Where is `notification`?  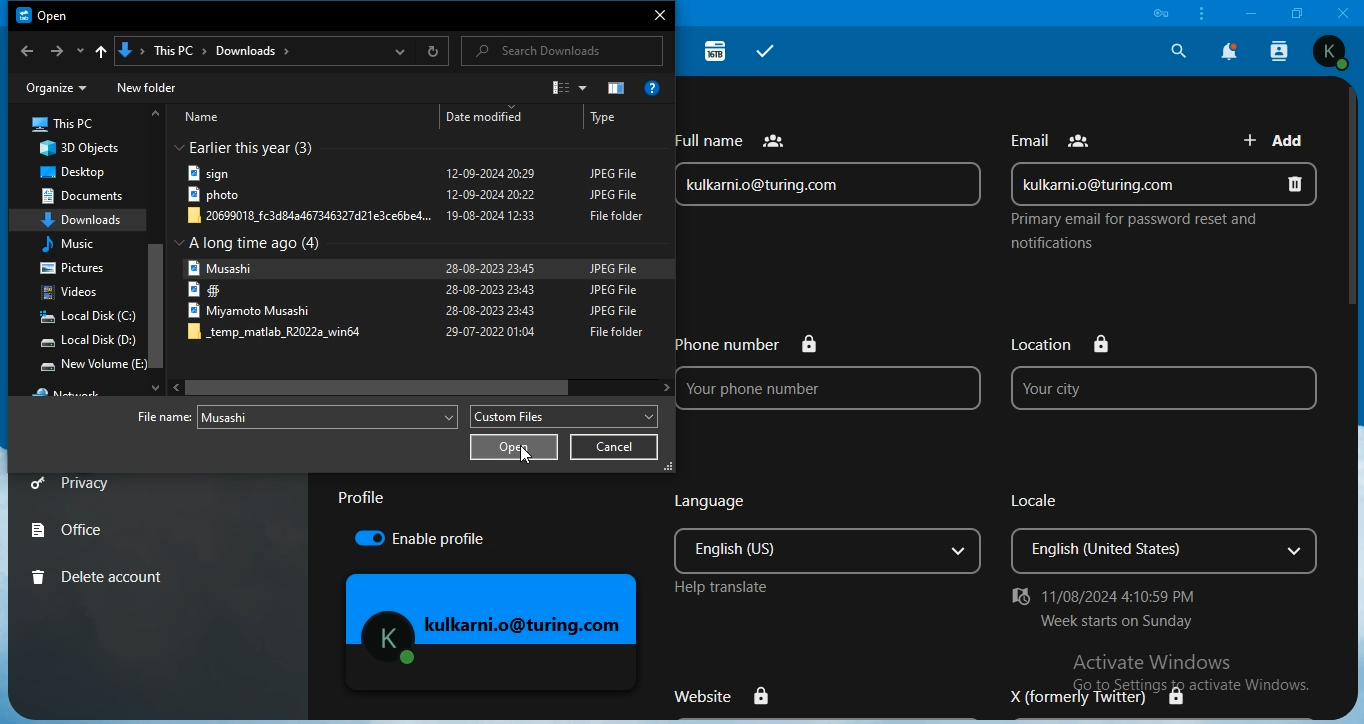 notification is located at coordinates (1230, 51).